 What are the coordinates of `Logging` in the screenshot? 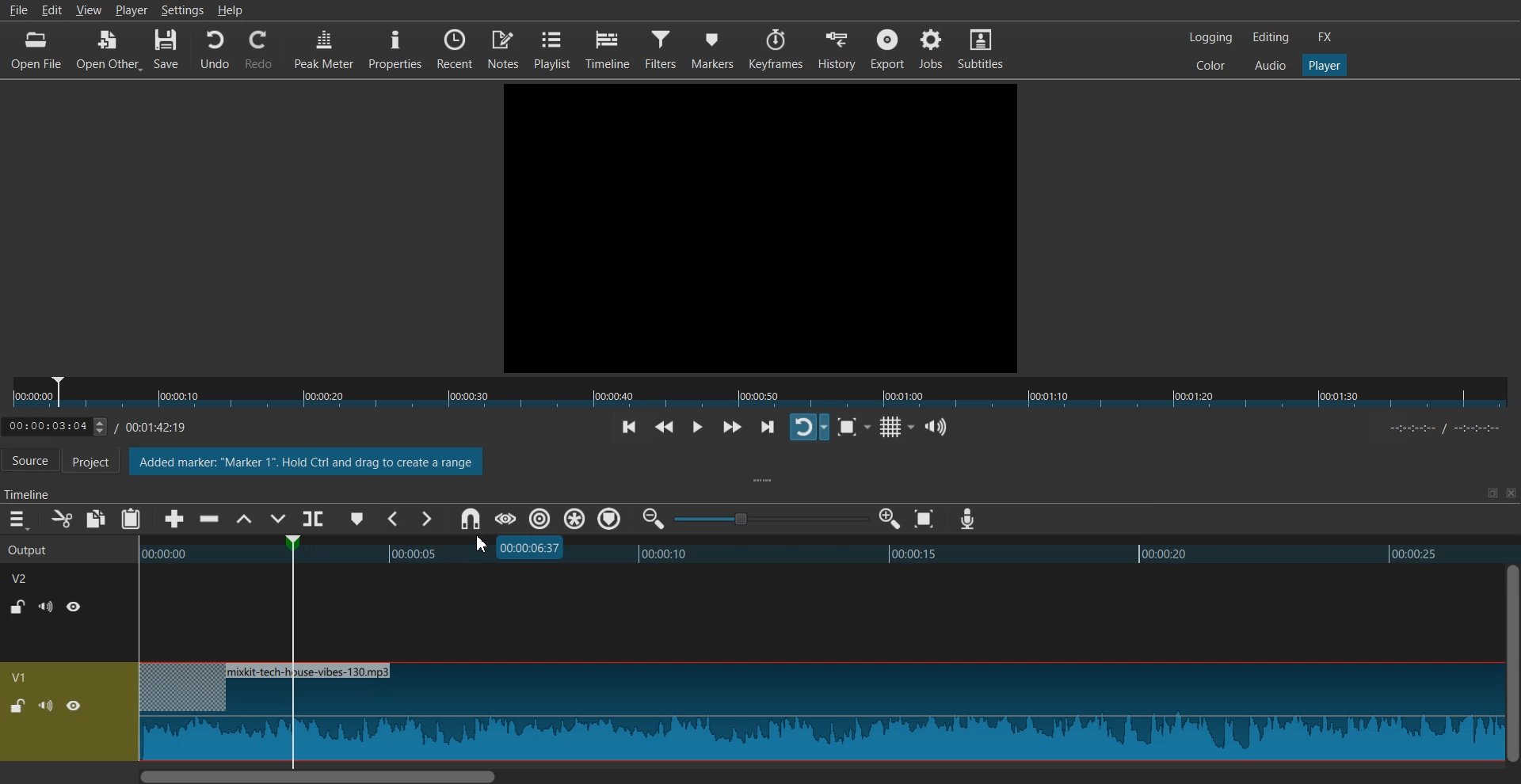 It's located at (1211, 37).